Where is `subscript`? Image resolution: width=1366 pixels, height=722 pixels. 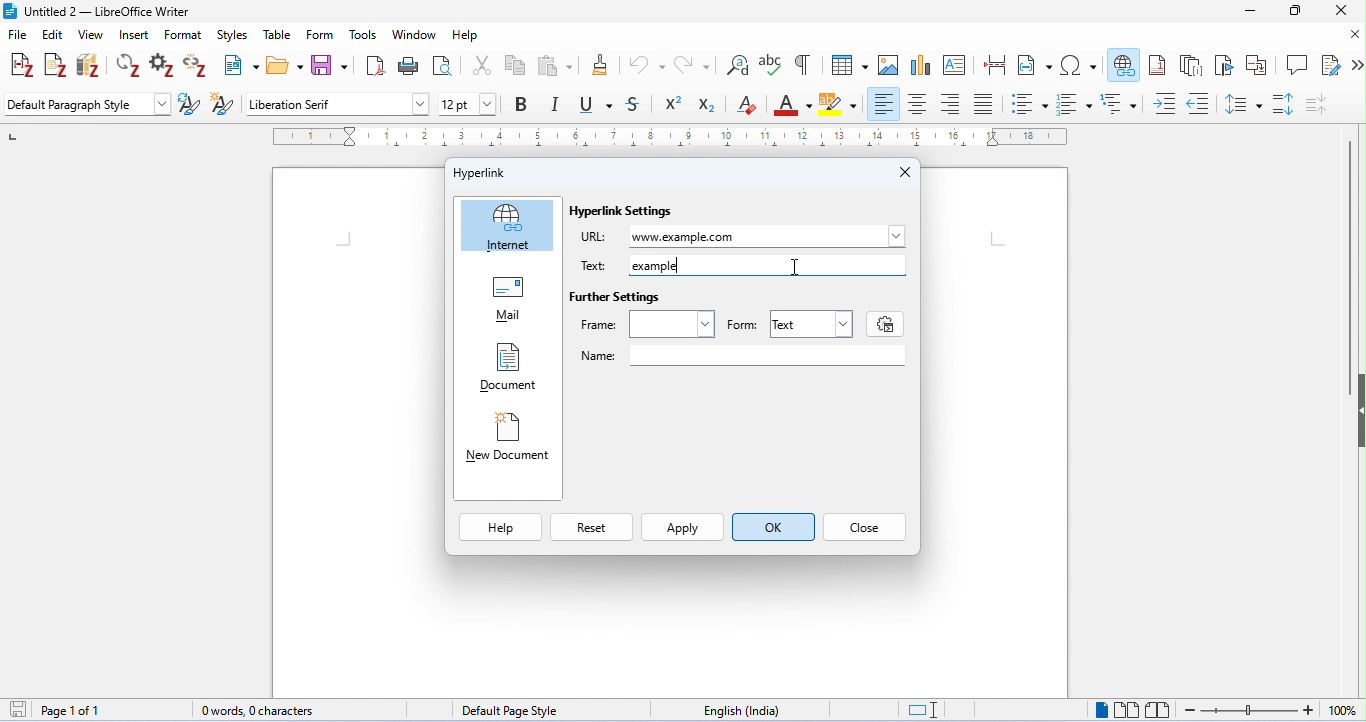 subscript is located at coordinates (709, 104).